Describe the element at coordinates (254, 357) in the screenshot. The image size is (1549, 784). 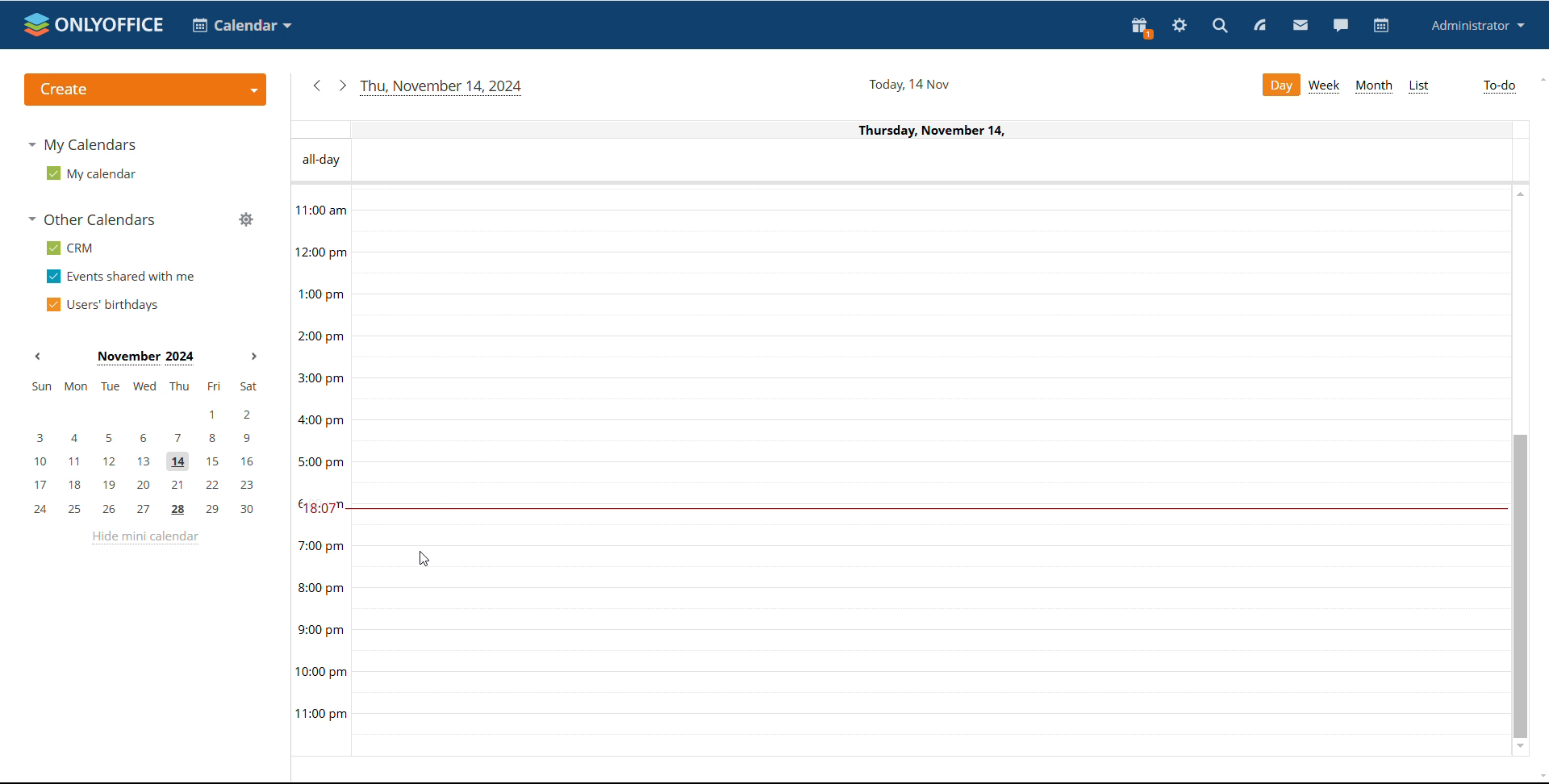
I see `next month` at that location.